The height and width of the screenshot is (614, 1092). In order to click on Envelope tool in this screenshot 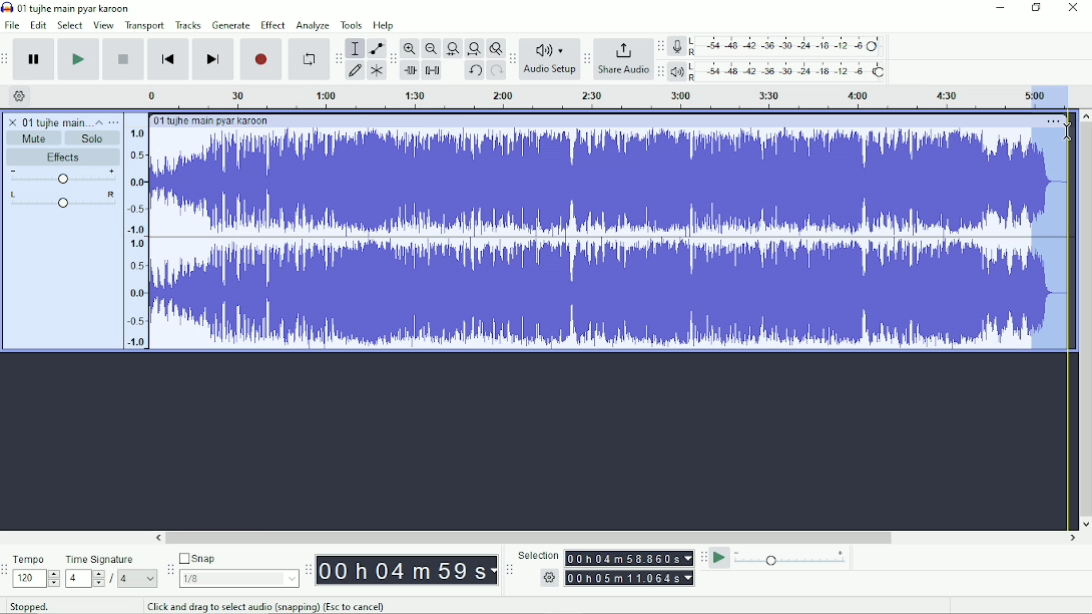, I will do `click(376, 49)`.